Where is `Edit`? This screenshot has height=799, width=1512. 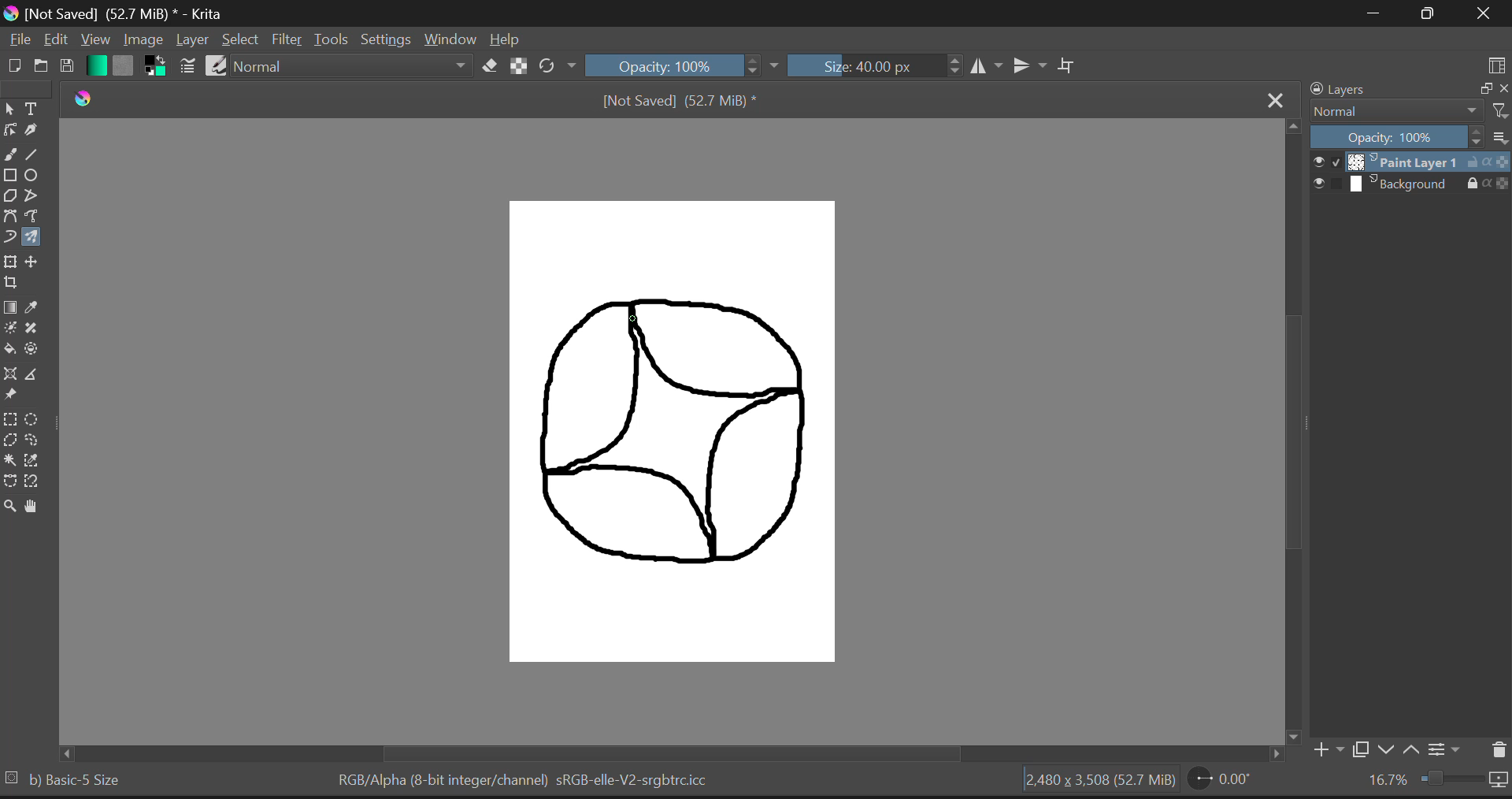 Edit is located at coordinates (55, 40).